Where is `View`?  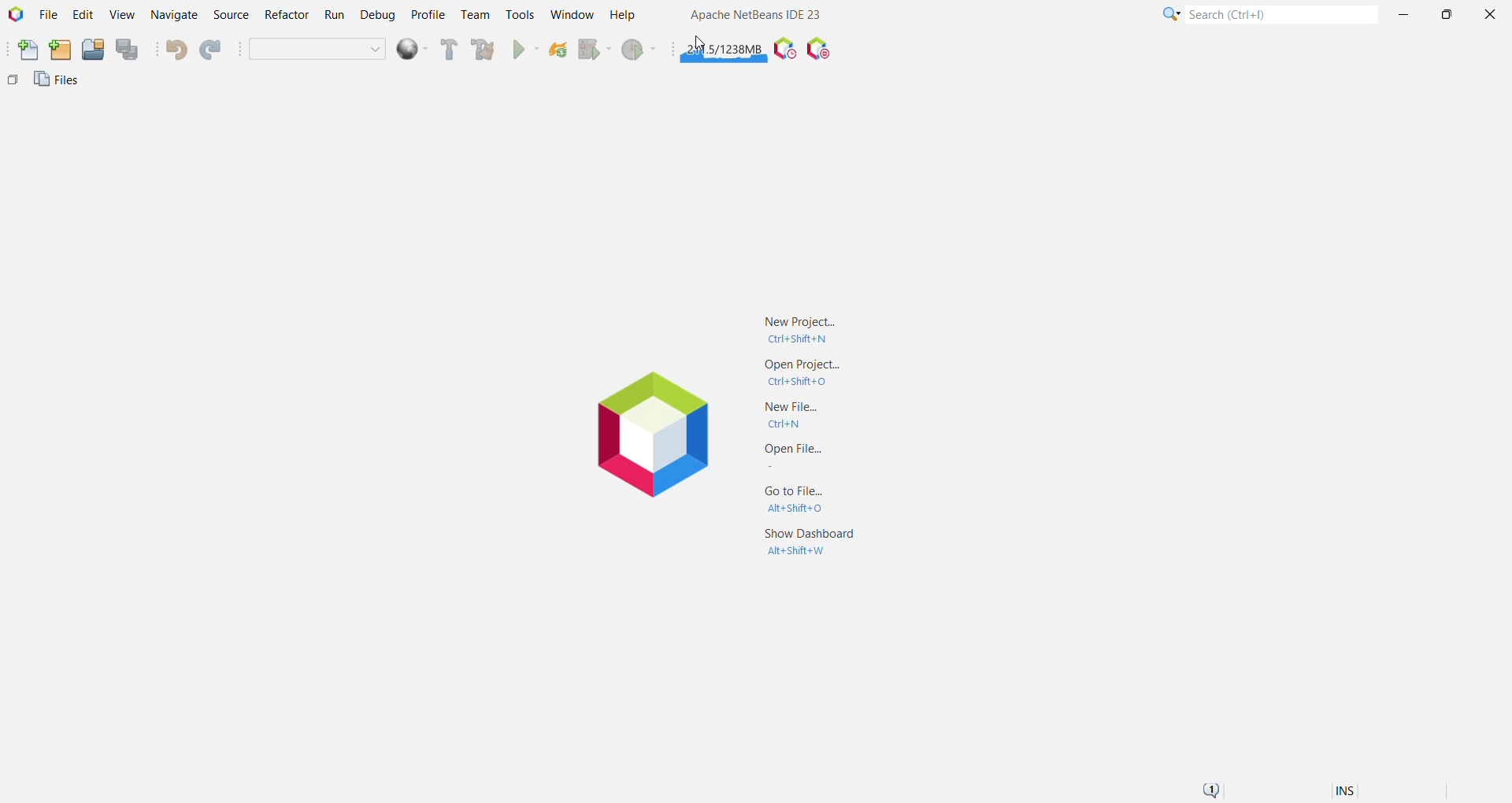
View is located at coordinates (121, 16).